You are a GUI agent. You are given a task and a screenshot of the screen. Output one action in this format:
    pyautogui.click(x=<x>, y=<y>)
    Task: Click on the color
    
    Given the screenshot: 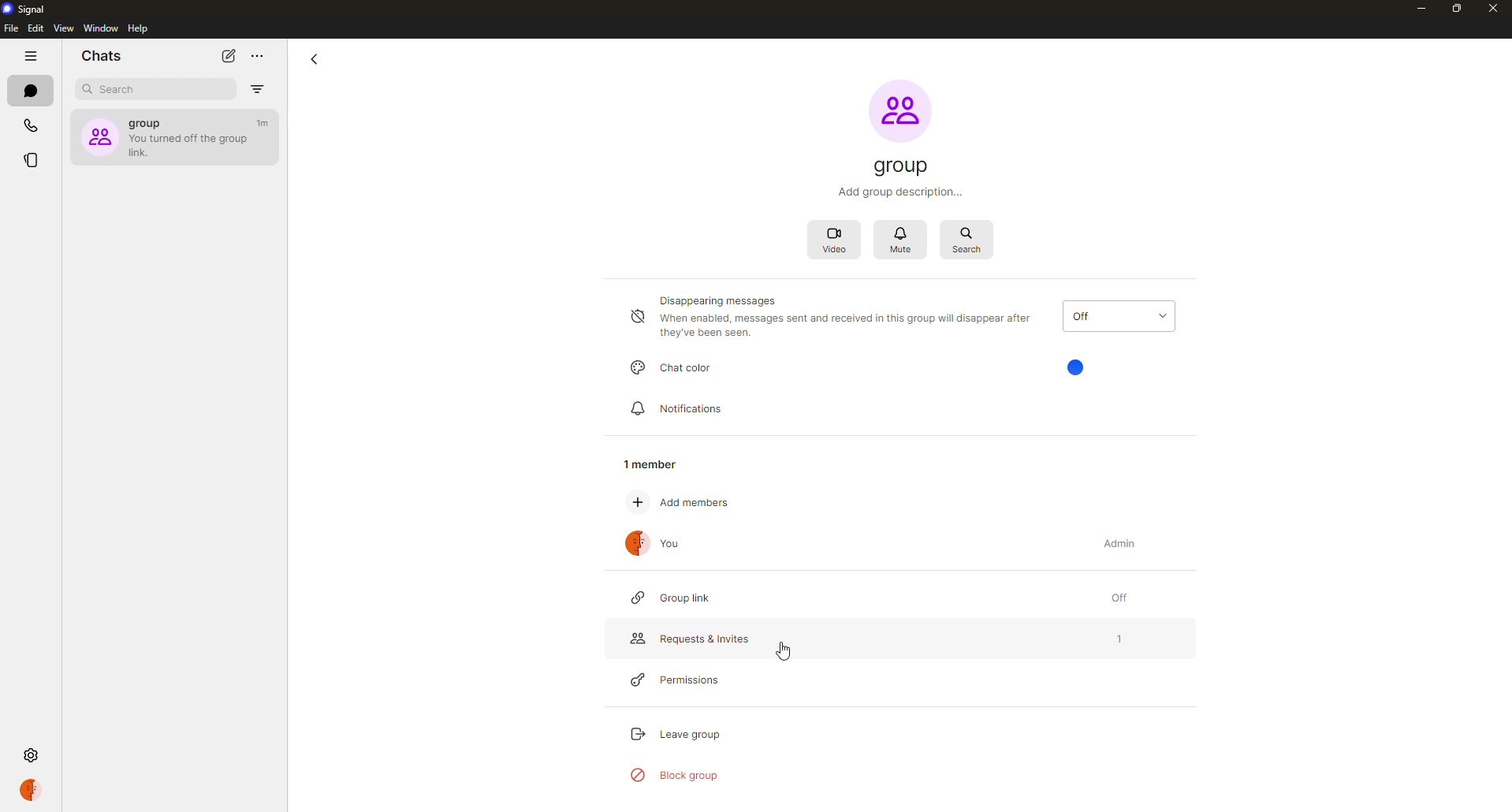 What is the action you would take?
    pyautogui.click(x=1078, y=366)
    